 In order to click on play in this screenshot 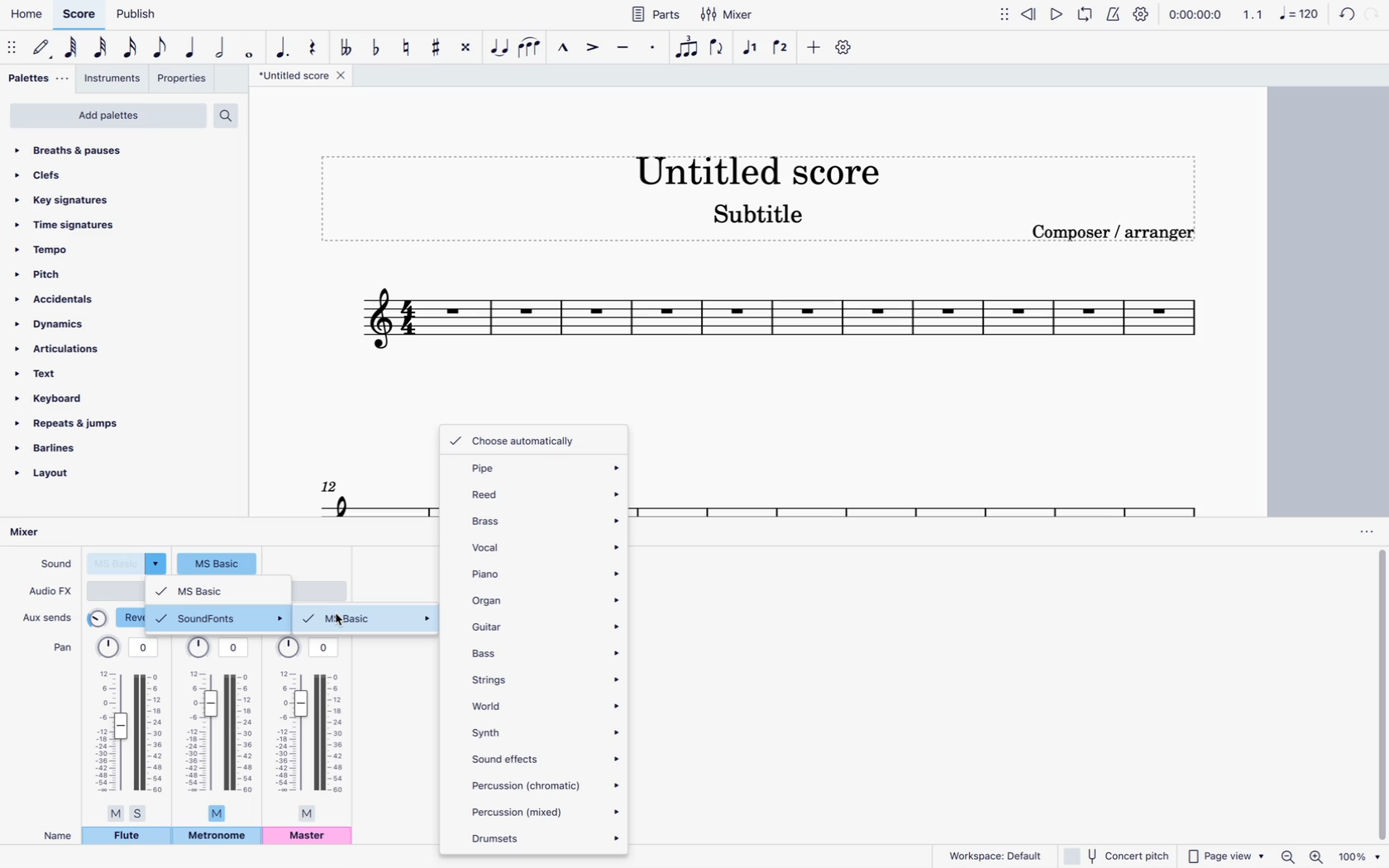, I will do `click(1058, 13)`.